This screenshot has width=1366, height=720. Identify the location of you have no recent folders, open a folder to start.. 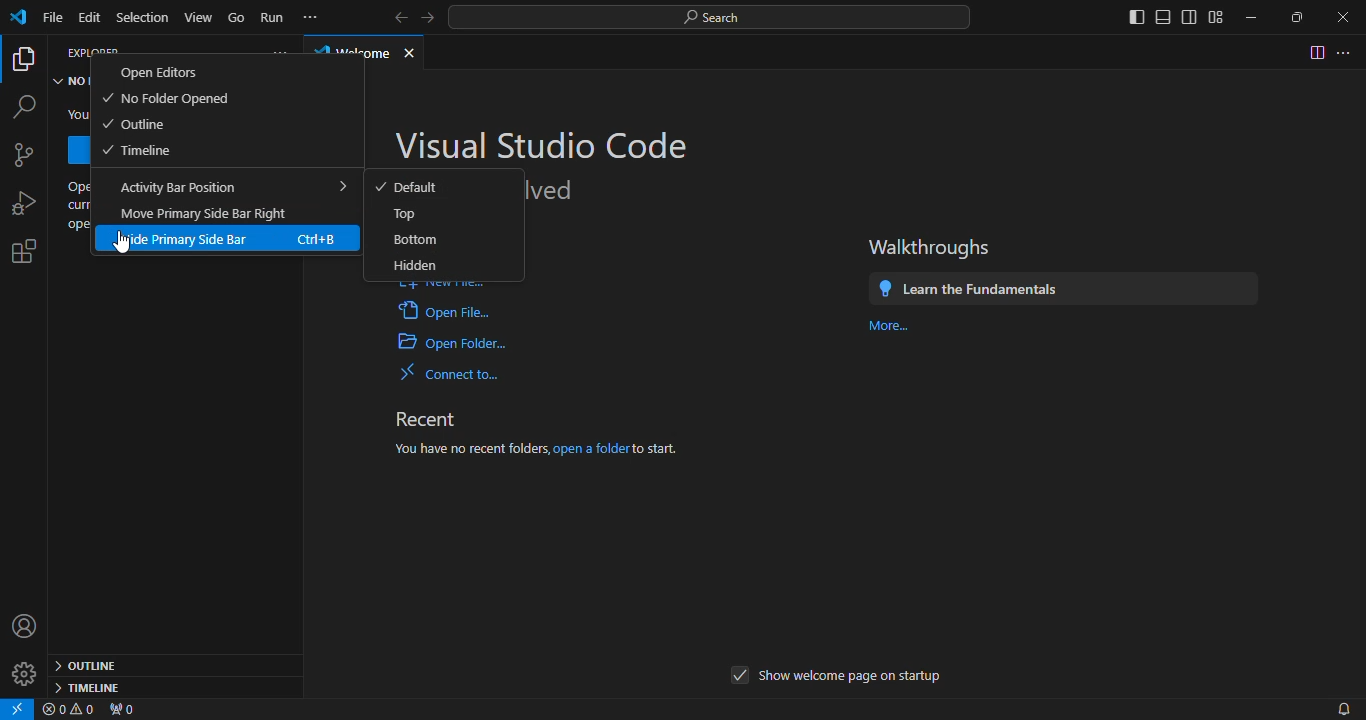
(559, 446).